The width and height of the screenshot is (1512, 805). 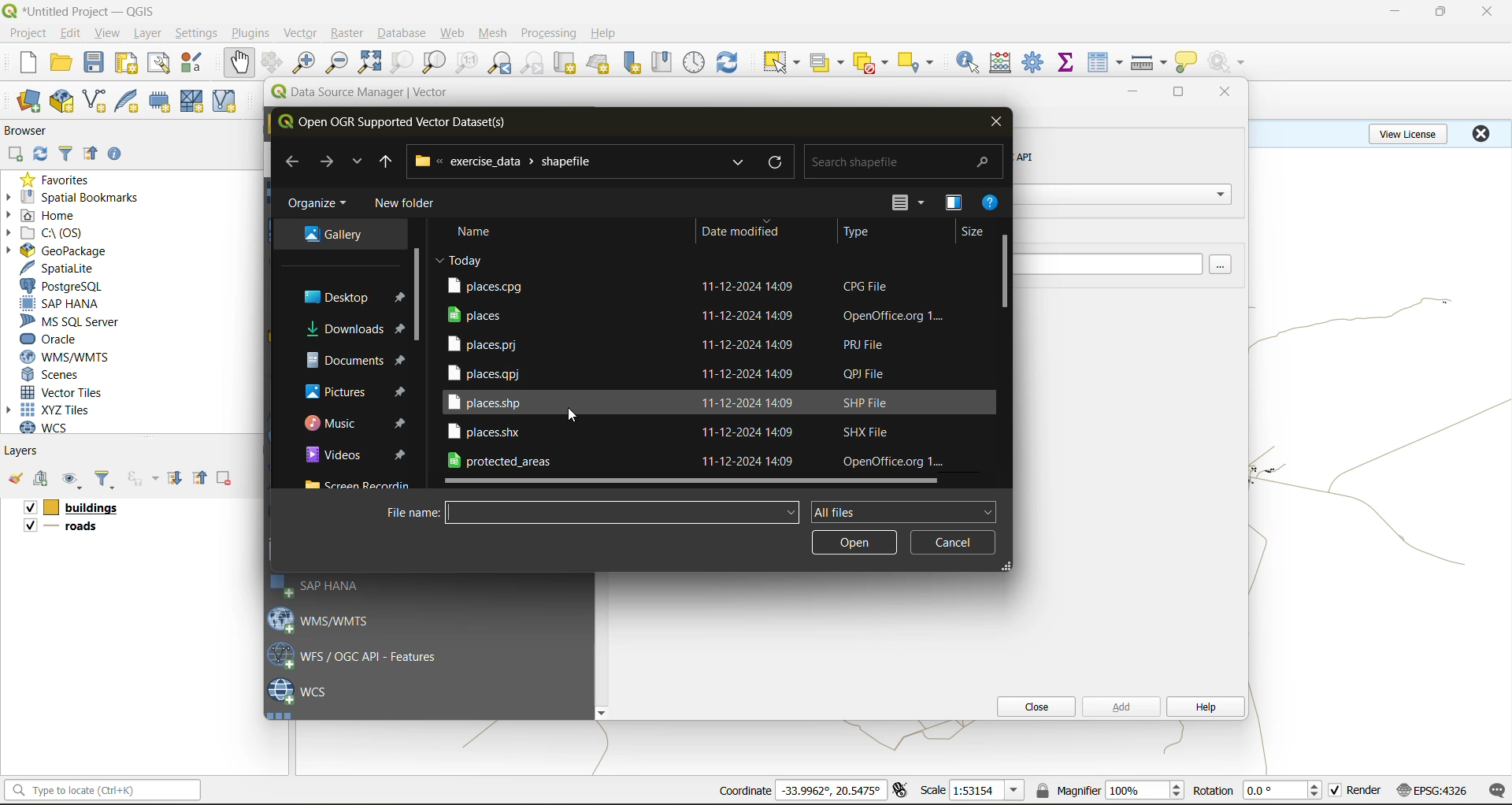 What do you see at coordinates (73, 529) in the screenshot?
I see `layers` at bounding box center [73, 529].